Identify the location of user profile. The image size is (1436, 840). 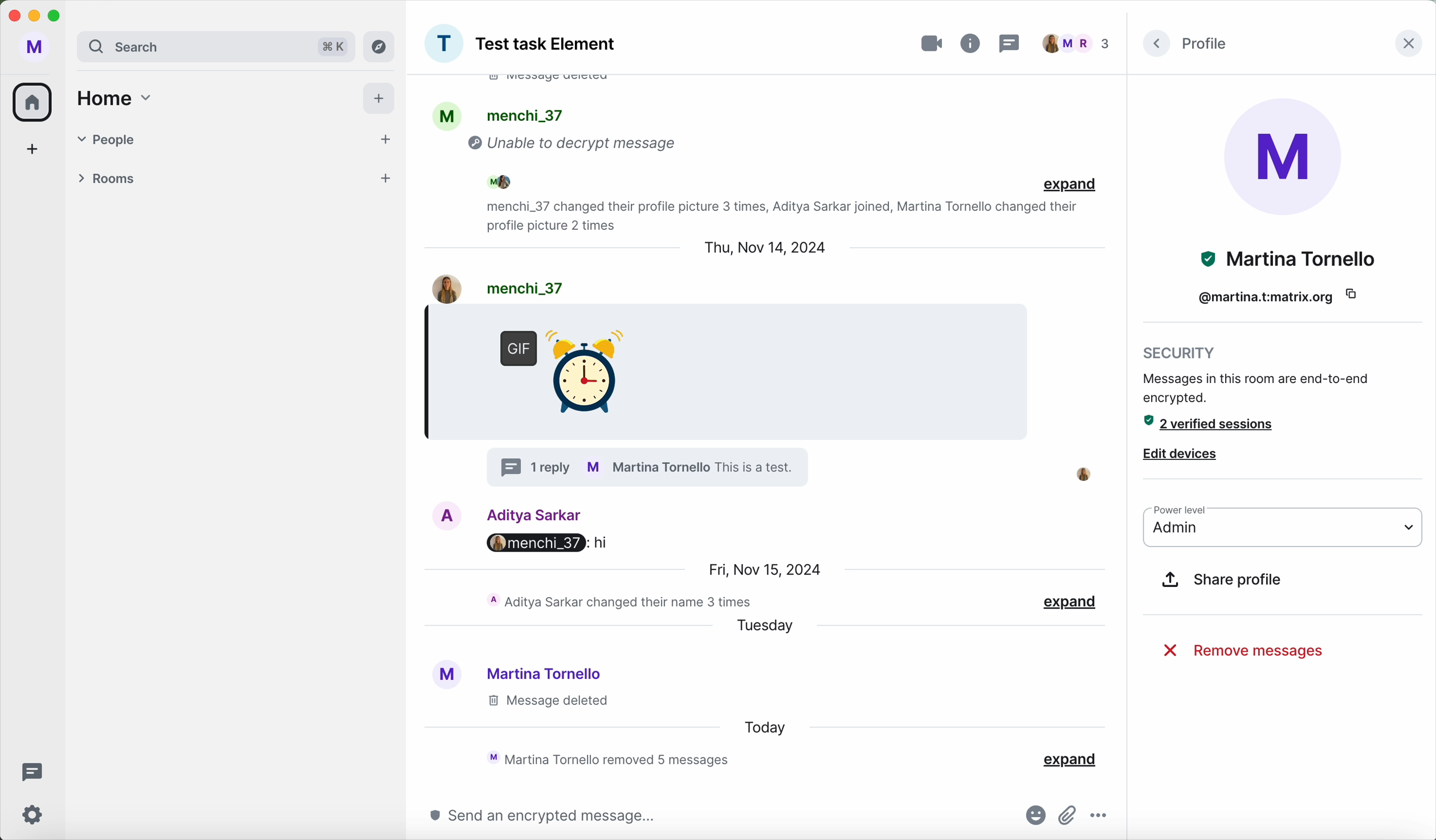
(35, 47).